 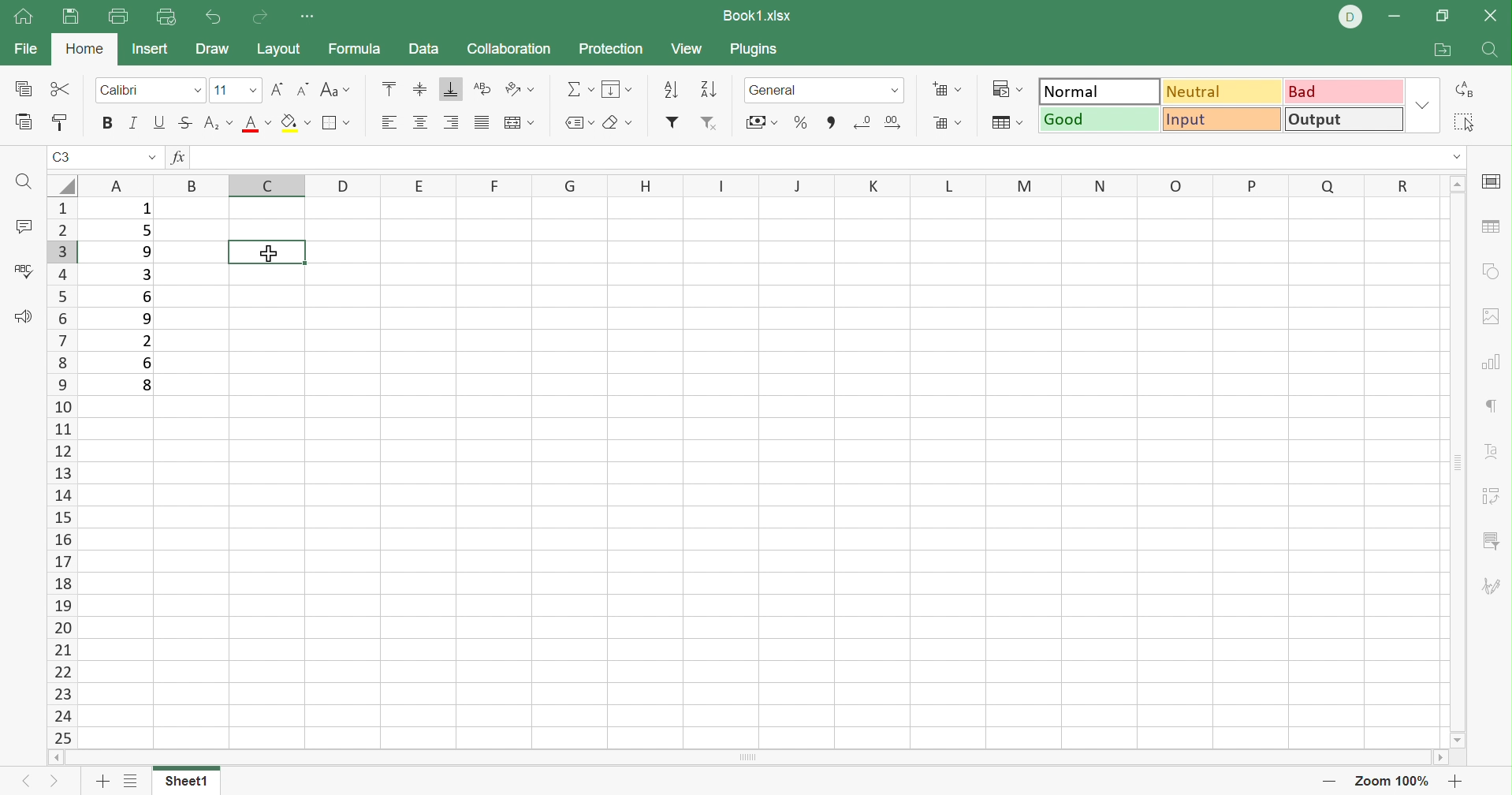 What do you see at coordinates (68, 157) in the screenshot?
I see `C3` at bounding box center [68, 157].